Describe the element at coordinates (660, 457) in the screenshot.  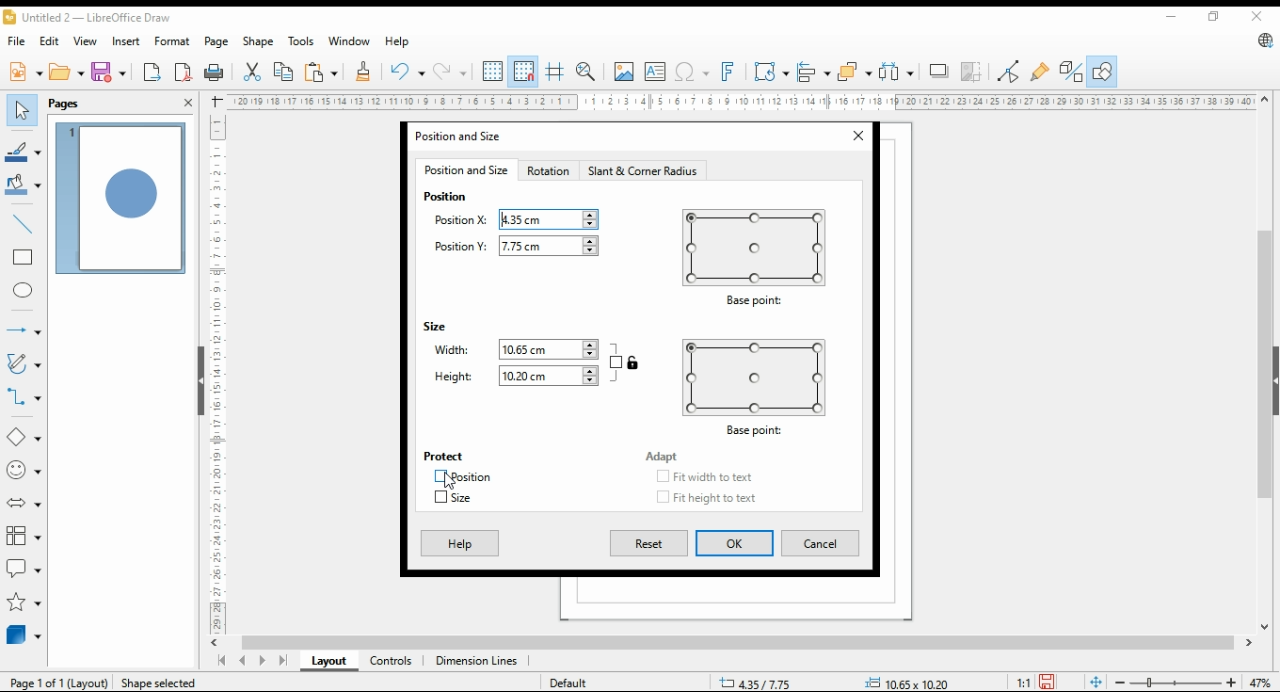
I see `adapt` at that location.